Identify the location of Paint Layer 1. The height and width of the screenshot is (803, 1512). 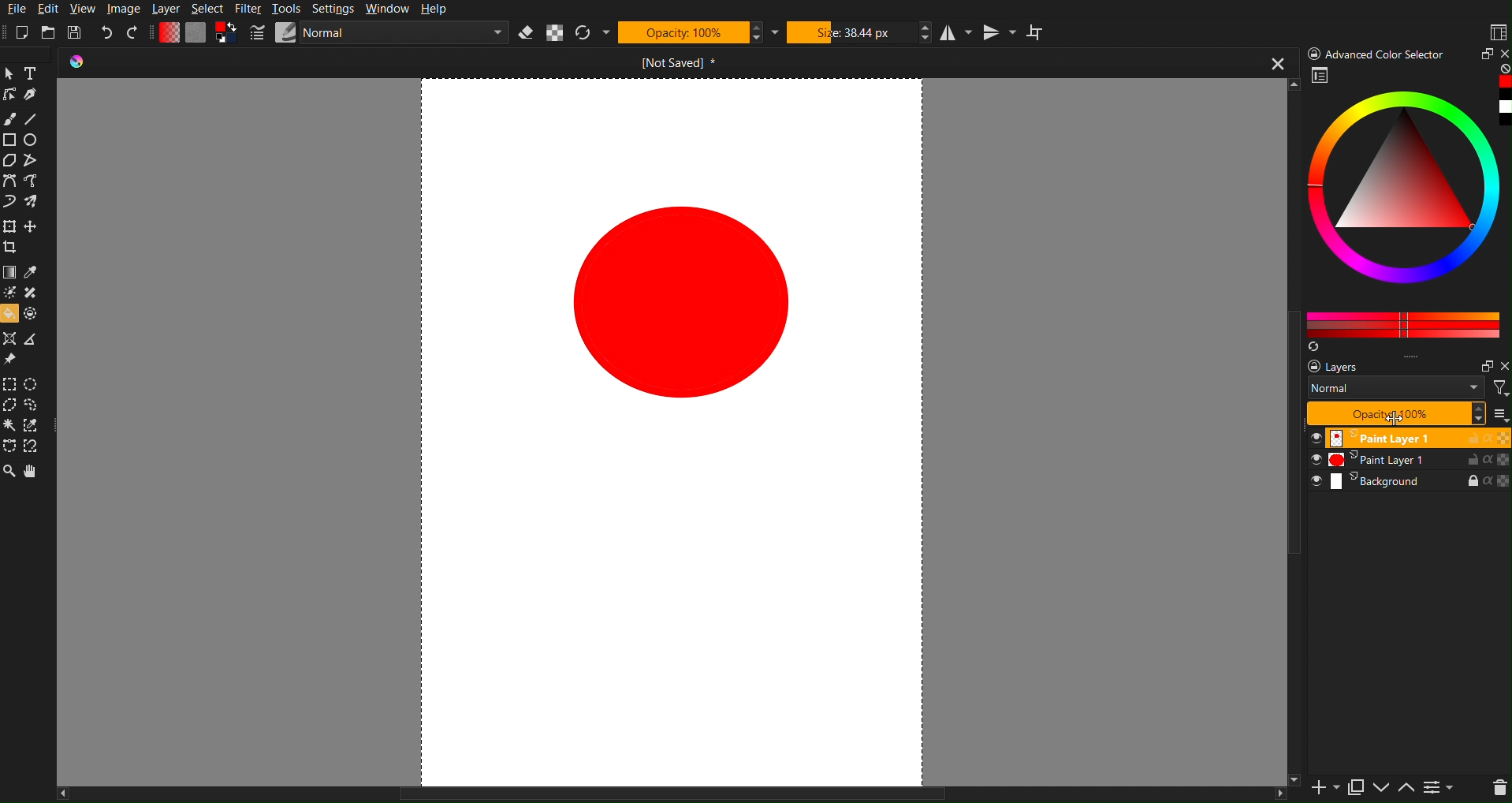
(1409, 439).